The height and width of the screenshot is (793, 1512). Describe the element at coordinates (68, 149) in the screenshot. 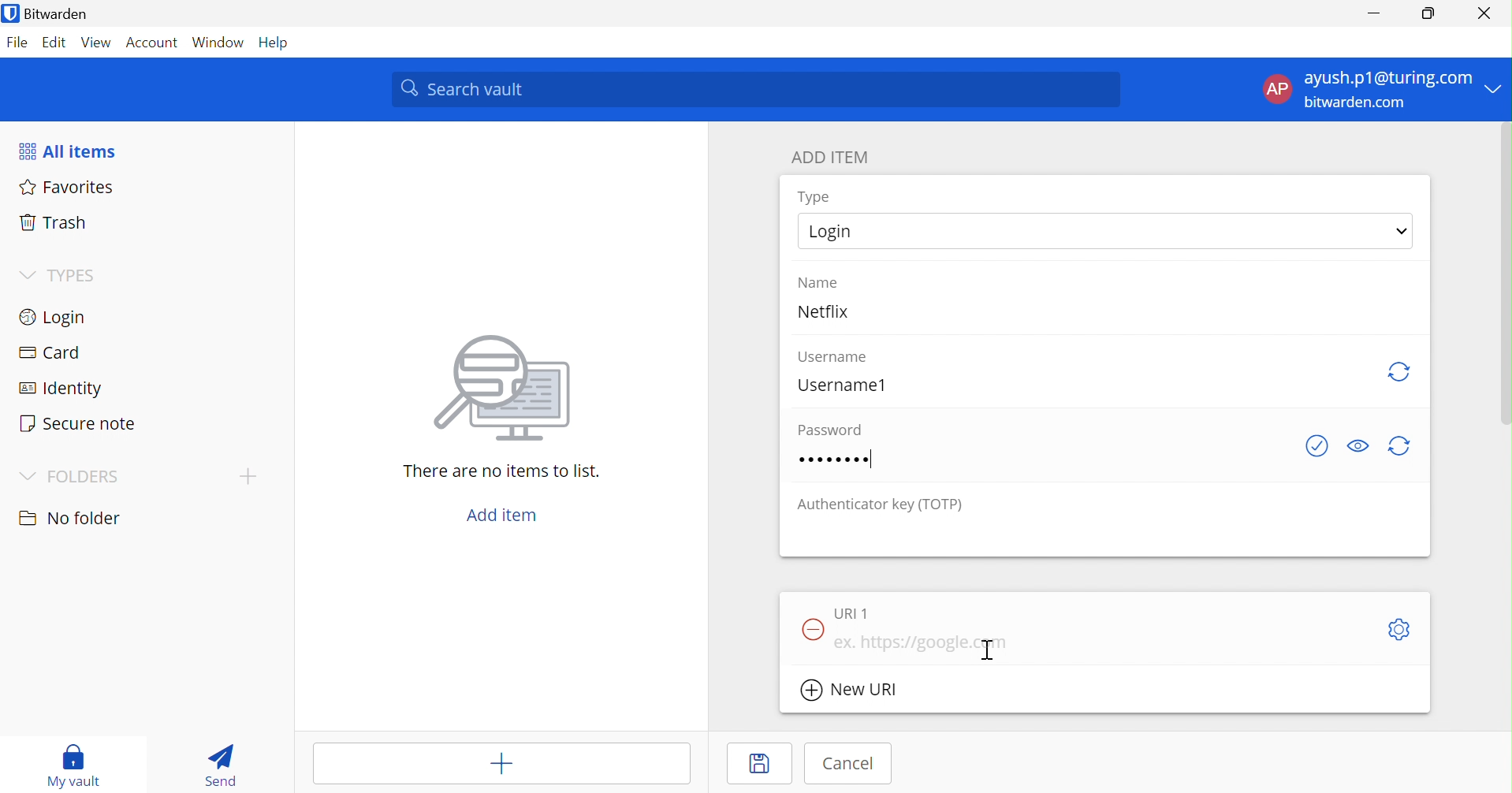

I see `All items` at that location.